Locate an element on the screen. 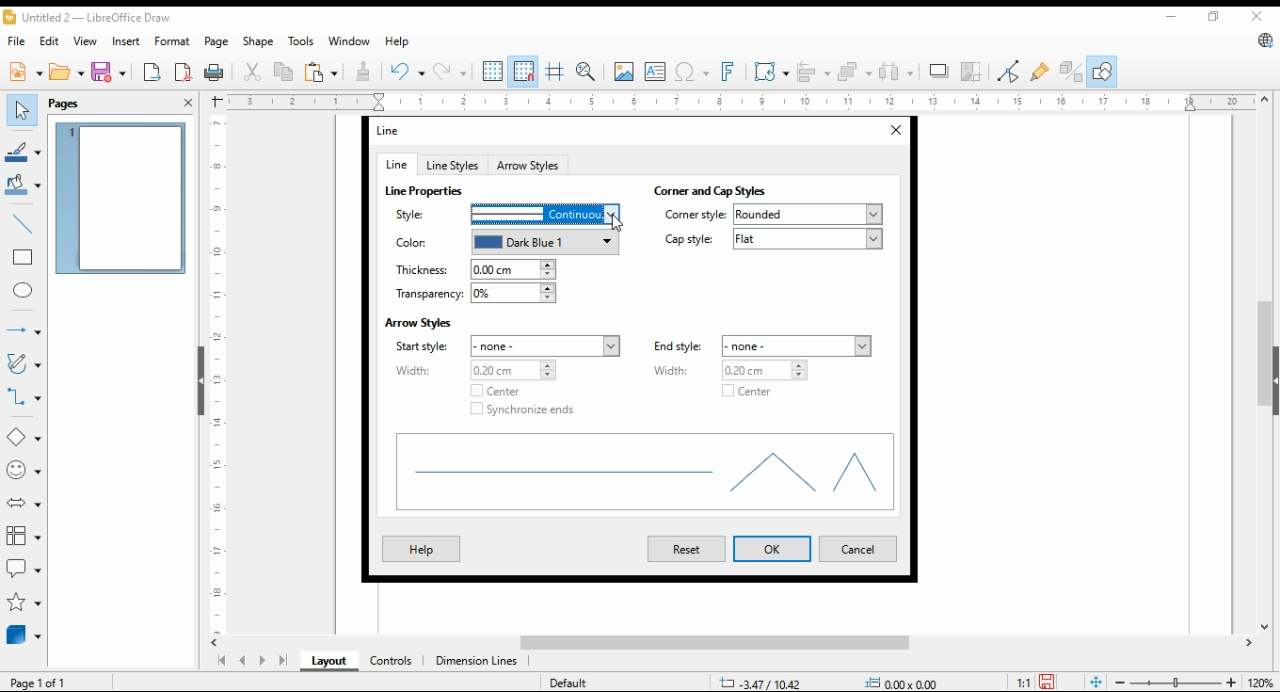 This screenshot has width=1280, height=692. export directly as pdf is located at coordinates (184, 71).